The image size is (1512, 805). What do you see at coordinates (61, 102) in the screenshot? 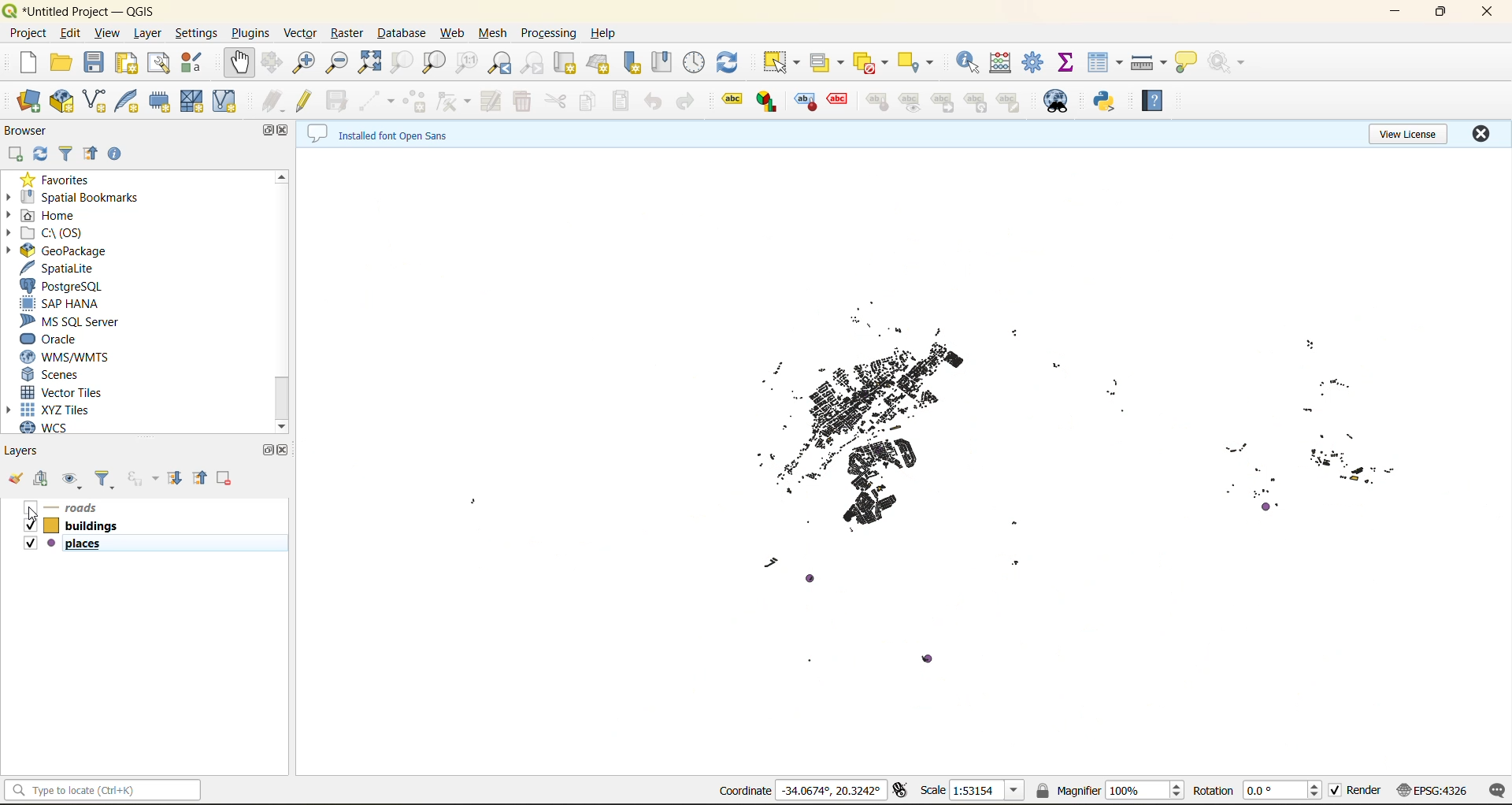
I see `new geopackage` at bounding box center [61, 102].